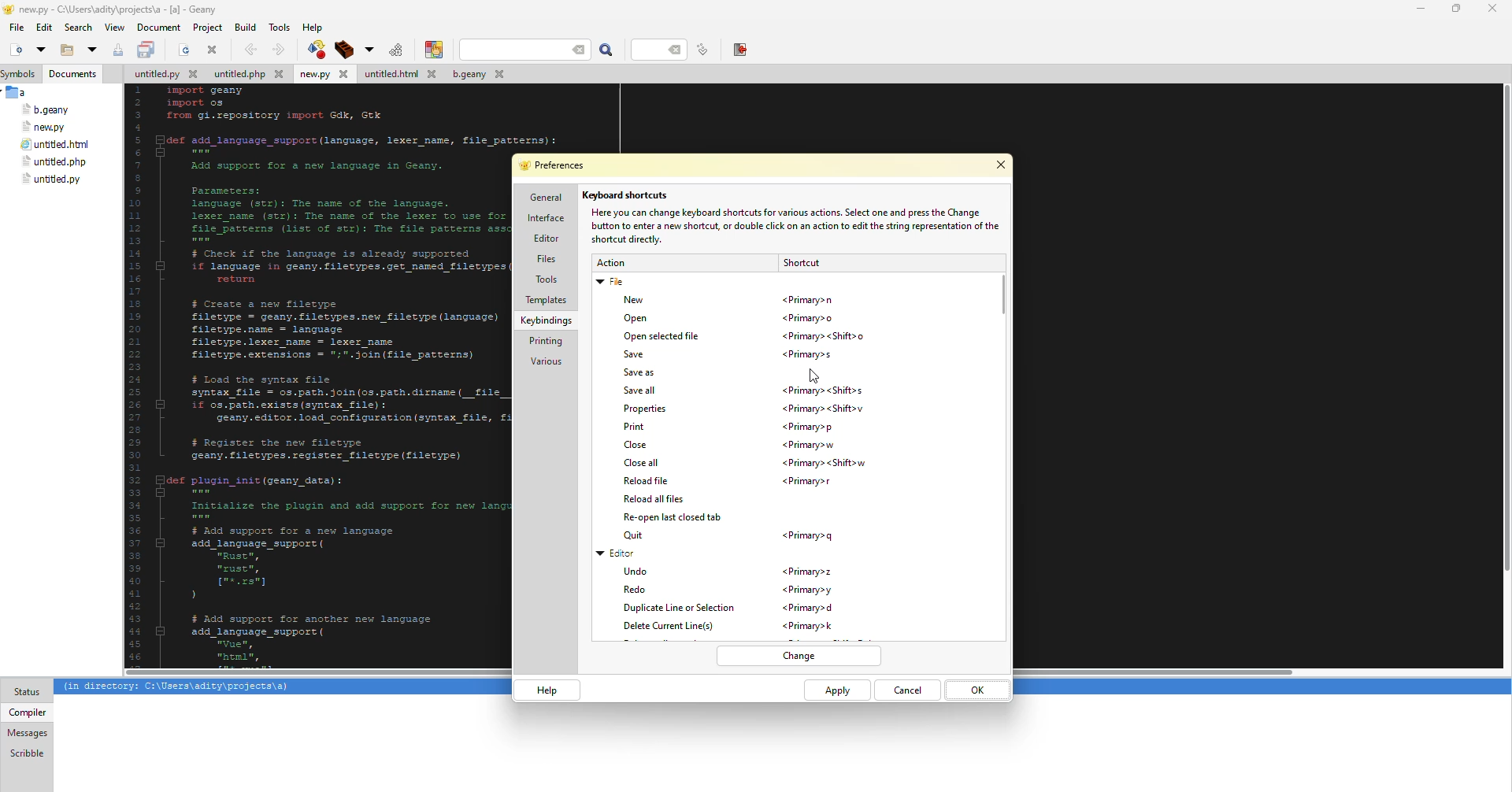  Describe the element at coordinates (367, 50) in the screenshot. I see `build options` at that location.